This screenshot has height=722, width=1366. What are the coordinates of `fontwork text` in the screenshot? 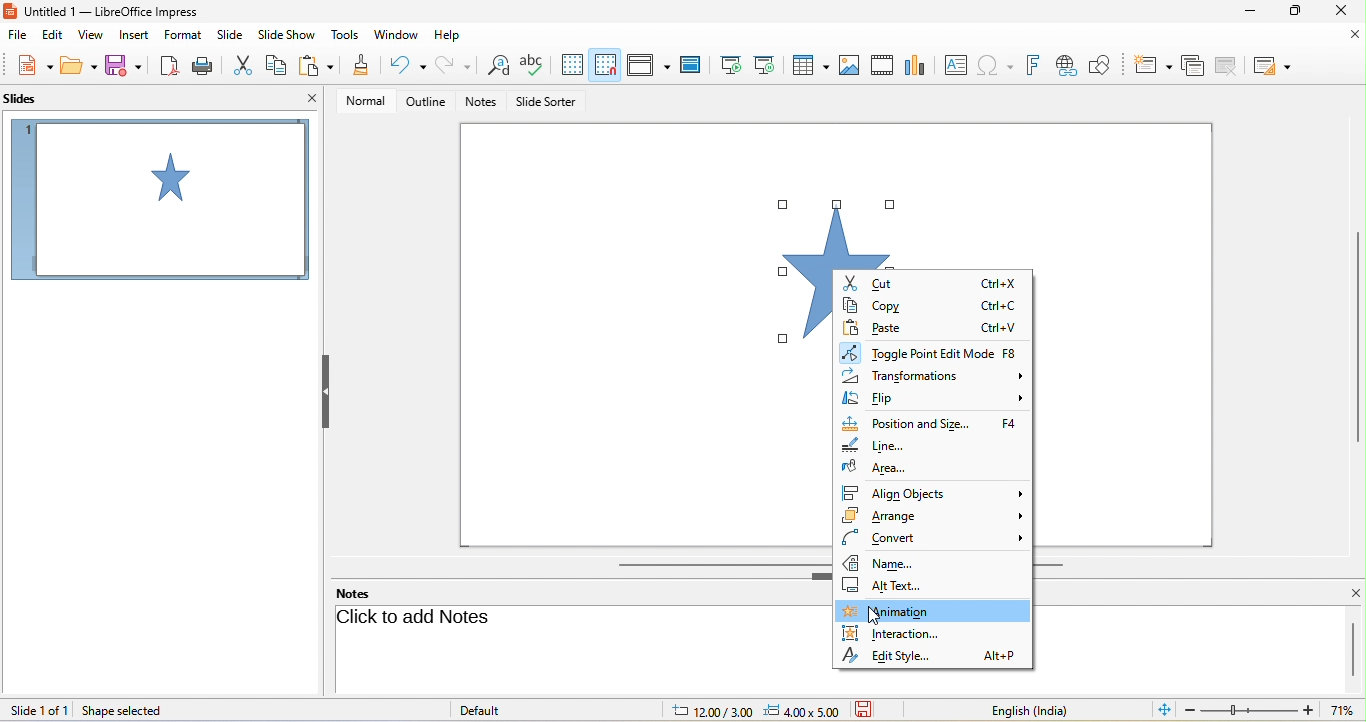 It's located at (1032, 66).